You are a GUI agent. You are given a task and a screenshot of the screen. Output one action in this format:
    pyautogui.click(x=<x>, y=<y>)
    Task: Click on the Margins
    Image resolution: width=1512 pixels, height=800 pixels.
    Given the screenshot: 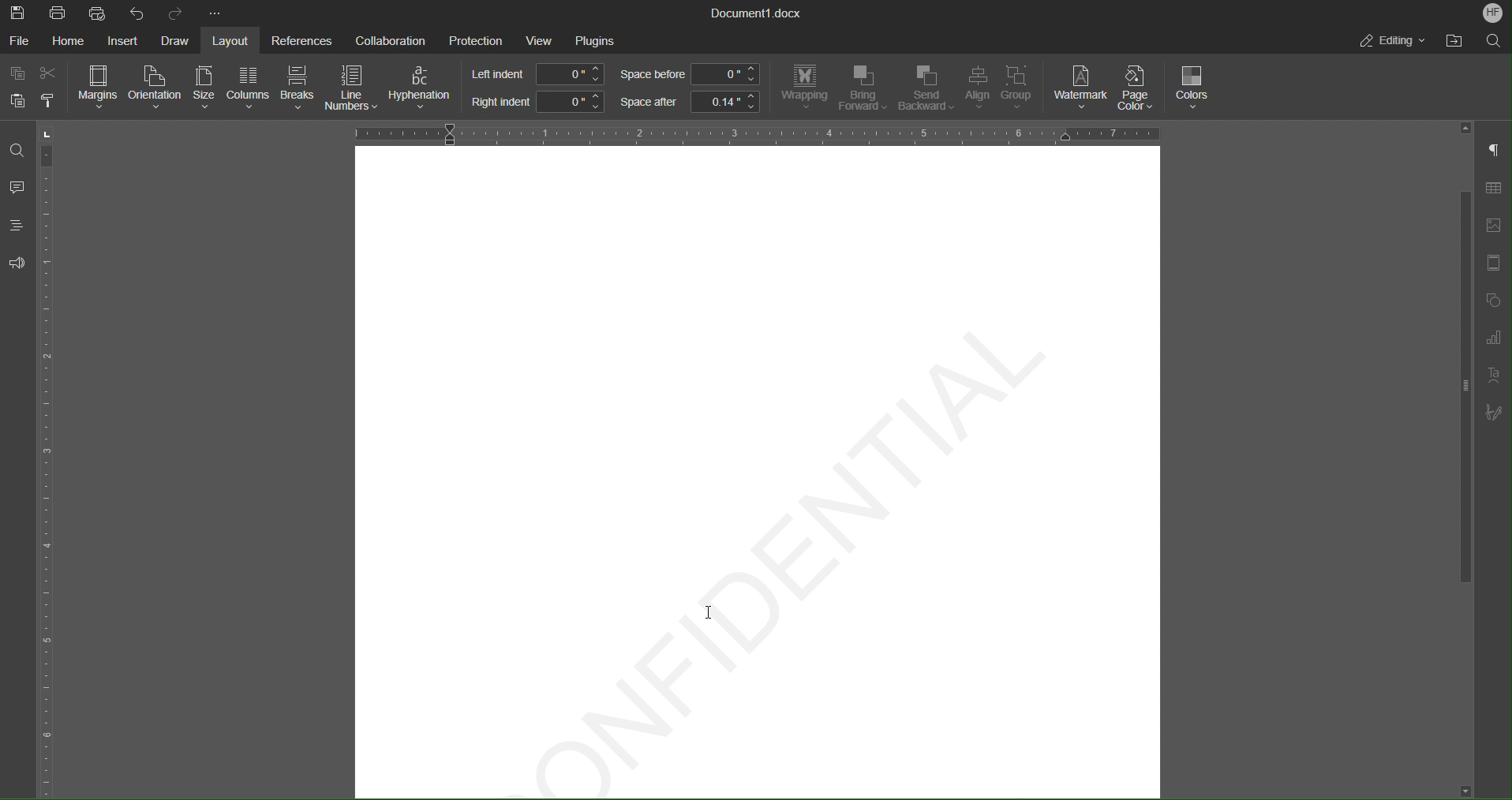 What is the action you would take?
    pyautogui.click(x=99, y=88)
    